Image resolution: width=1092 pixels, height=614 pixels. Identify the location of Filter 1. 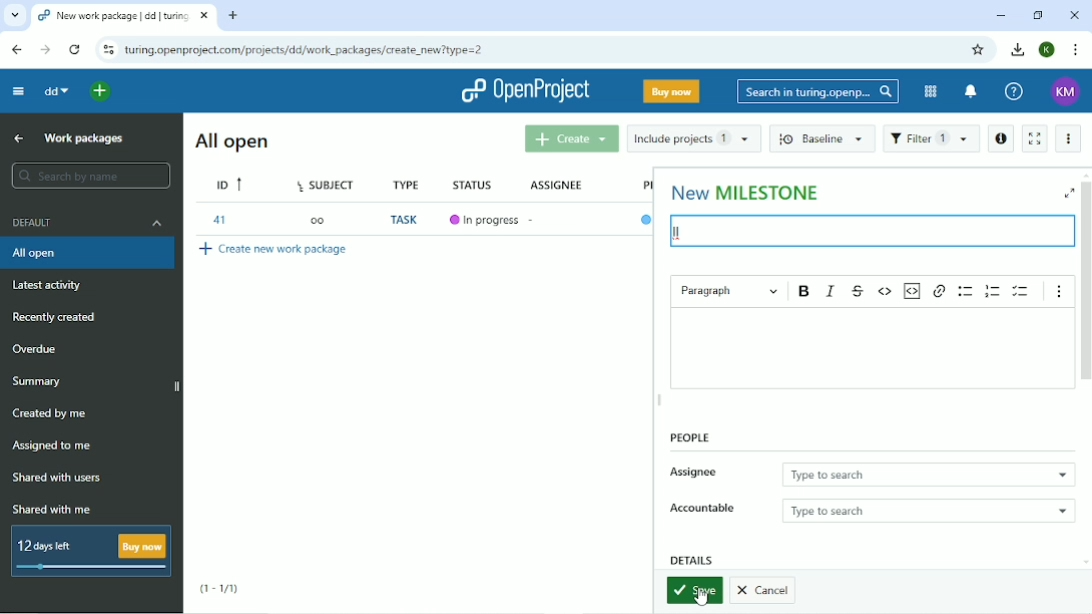
(931, 139).